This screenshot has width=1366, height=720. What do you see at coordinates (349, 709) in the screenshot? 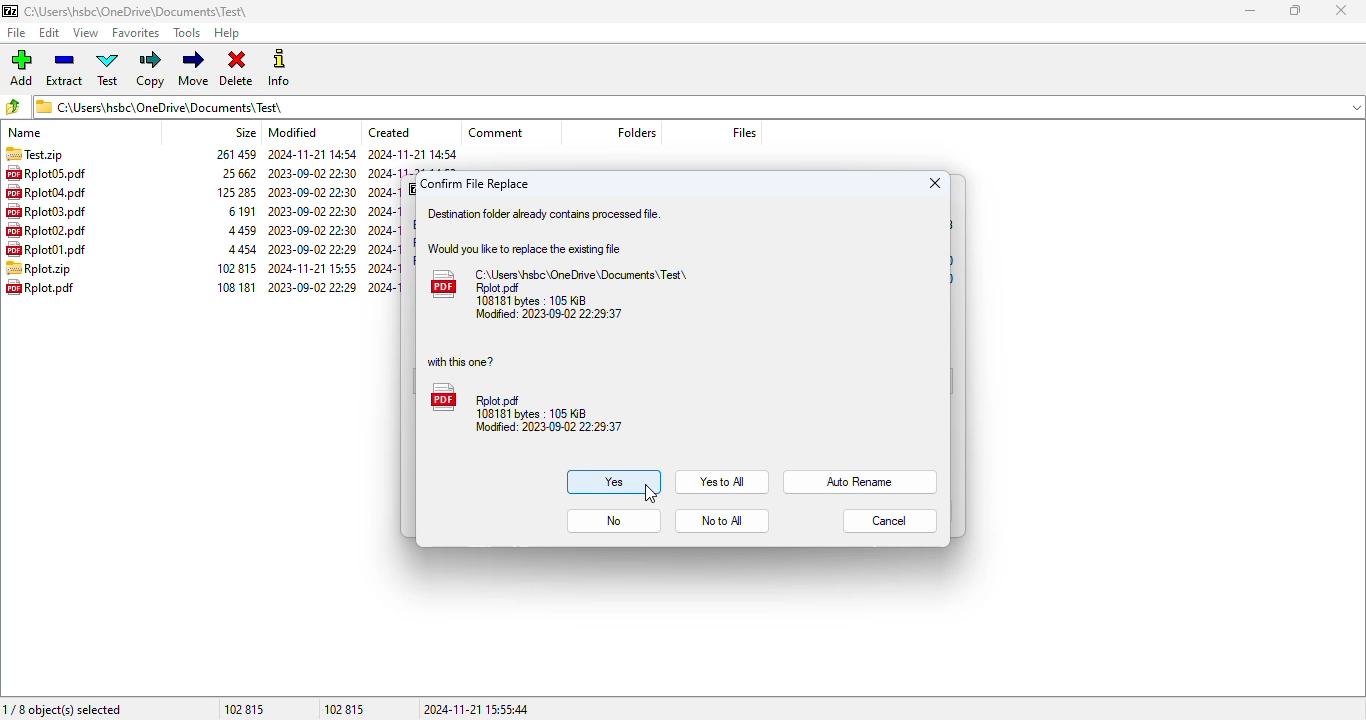
I see `102815` at bounding box center [349, 709].